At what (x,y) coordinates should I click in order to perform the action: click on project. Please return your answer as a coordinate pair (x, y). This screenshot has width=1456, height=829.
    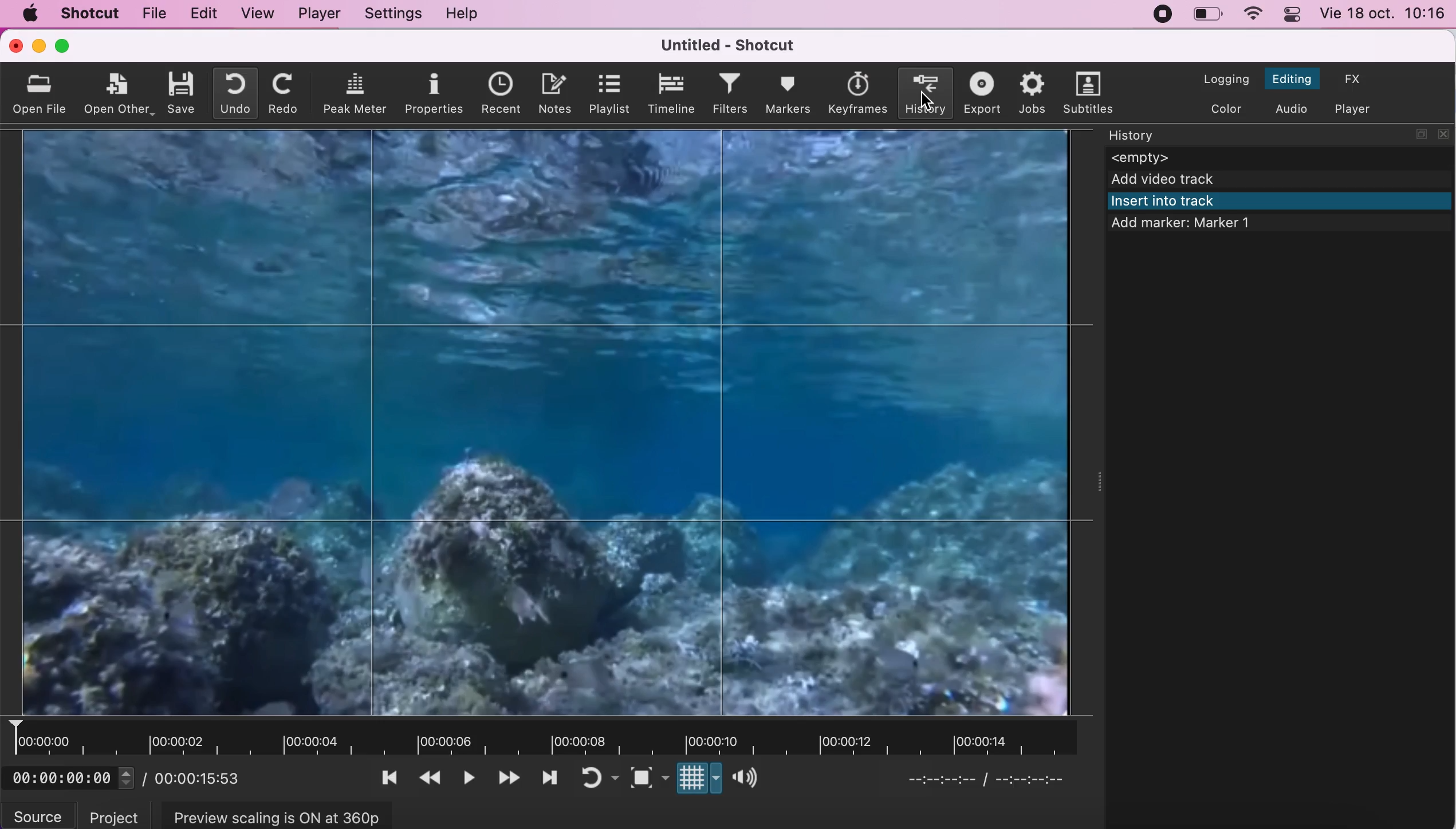
    Looking at the image, I should click on (109, 814).